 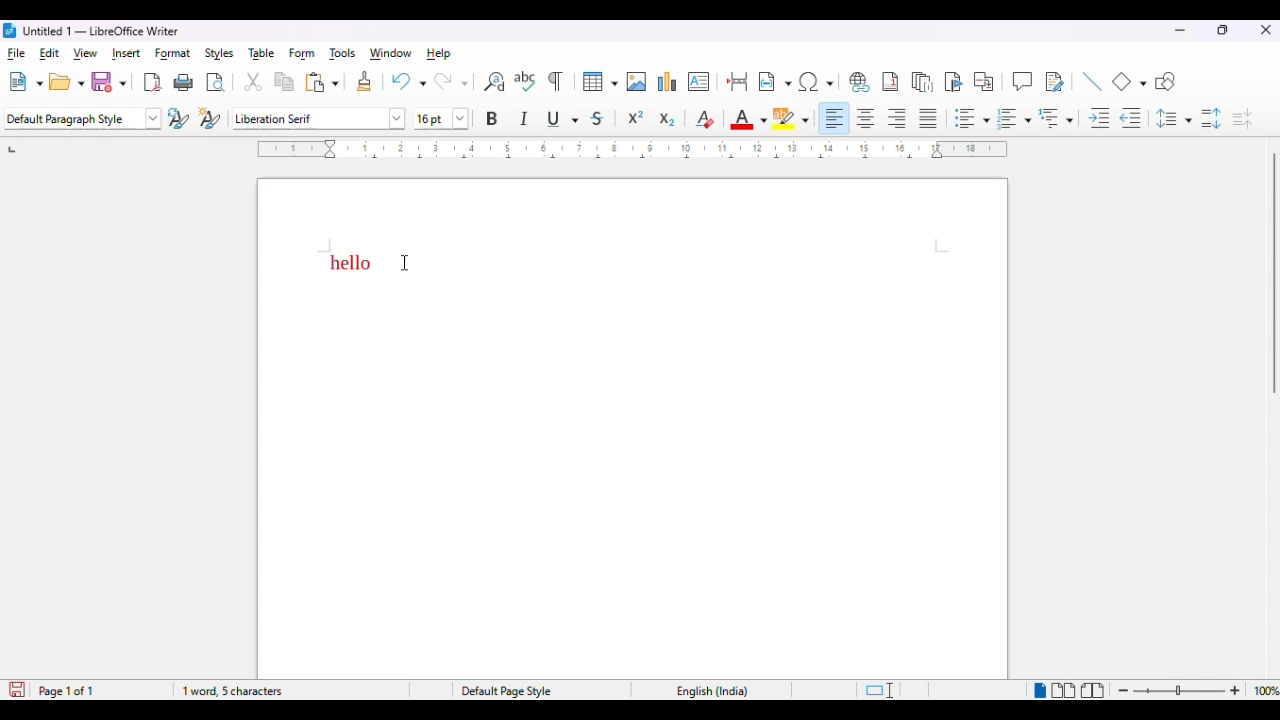 I want to click on insert chart, so click(x=668, y=81).